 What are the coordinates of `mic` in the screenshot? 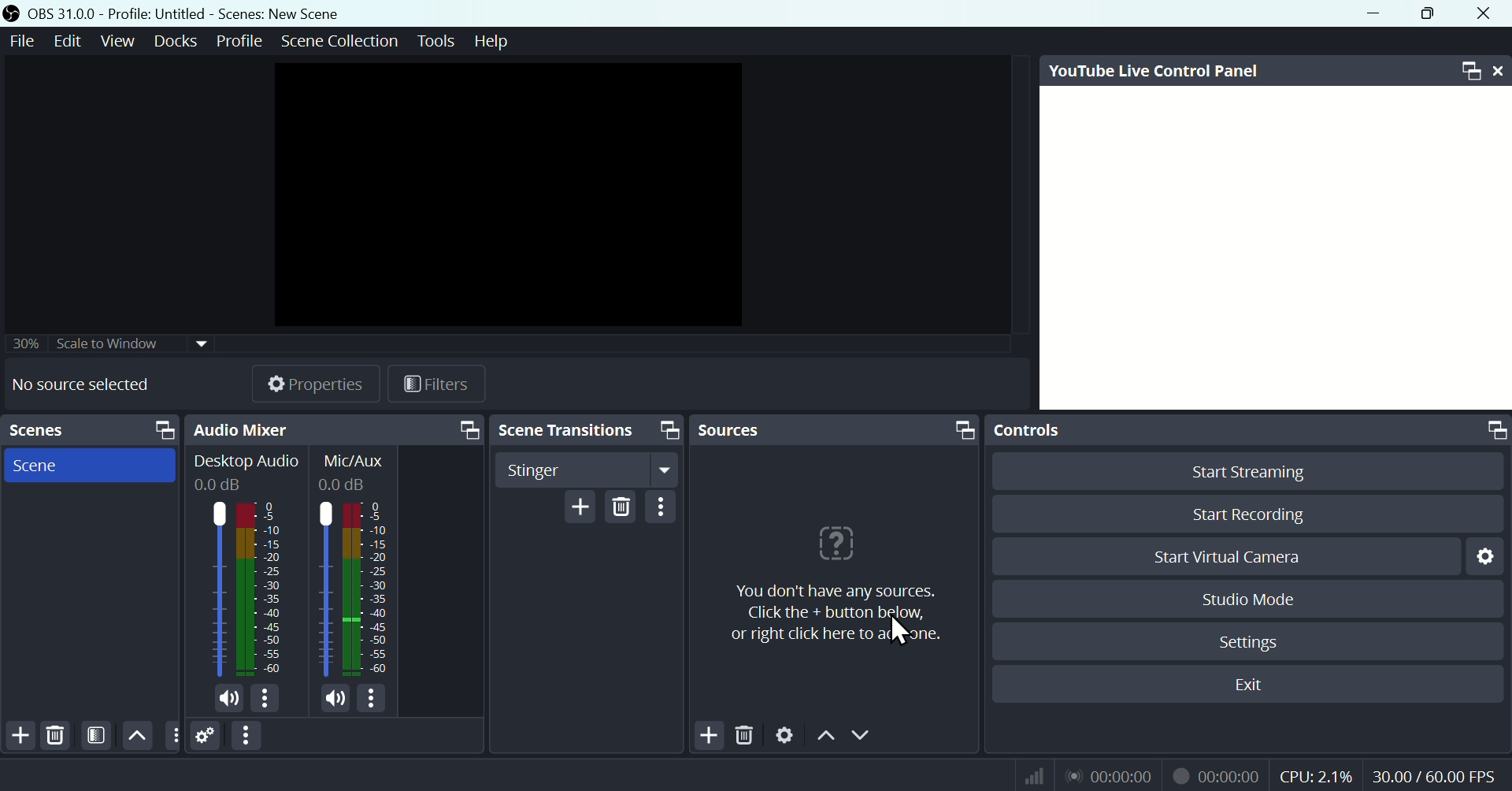 It's located at (336, 697).